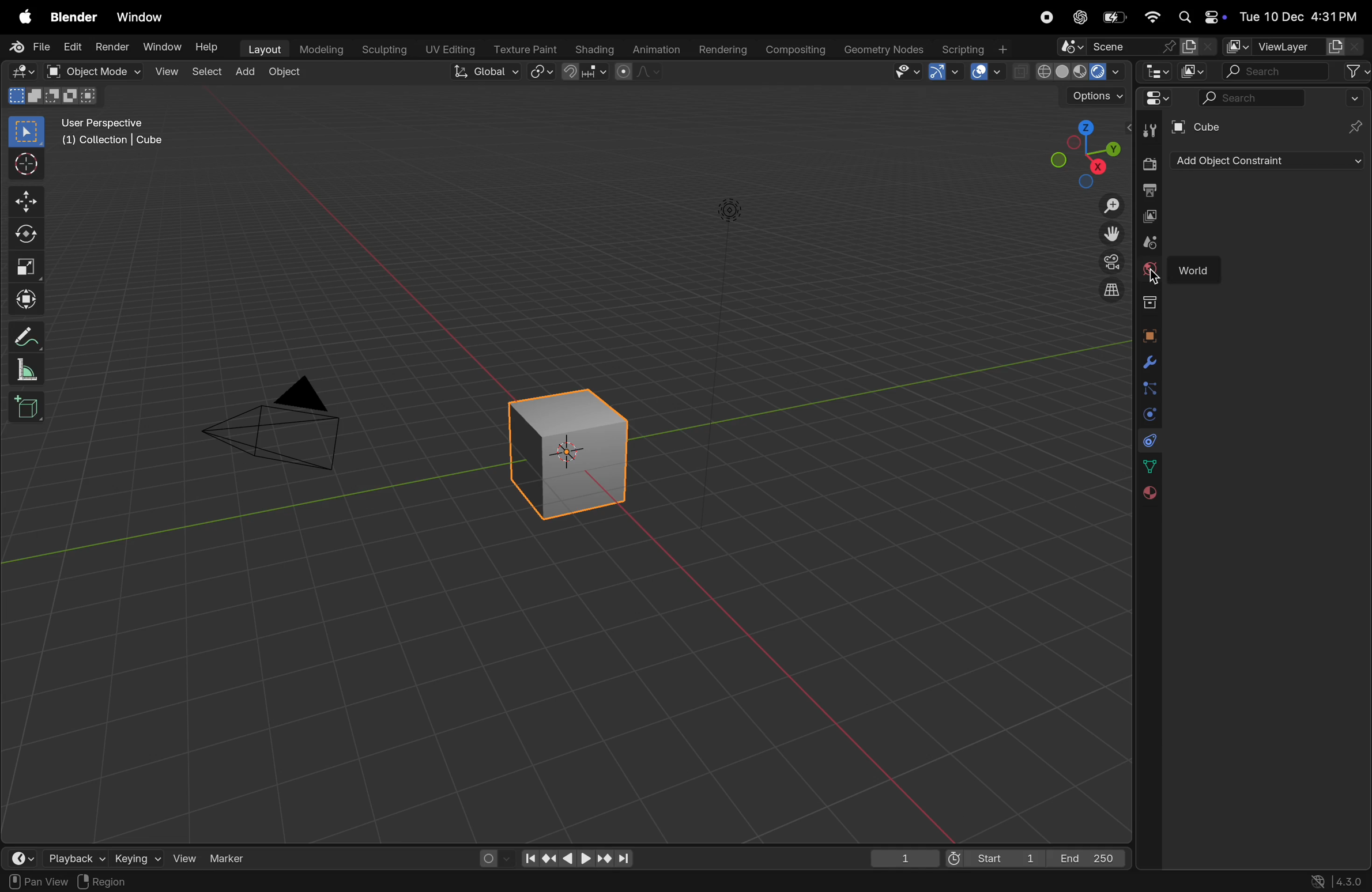 Image resolution: width=1372 pixels, height=892 pixels. What do you see at coordinates (29, 297) in the screenshot?
I see `transform` at bounding box center [29, 297].